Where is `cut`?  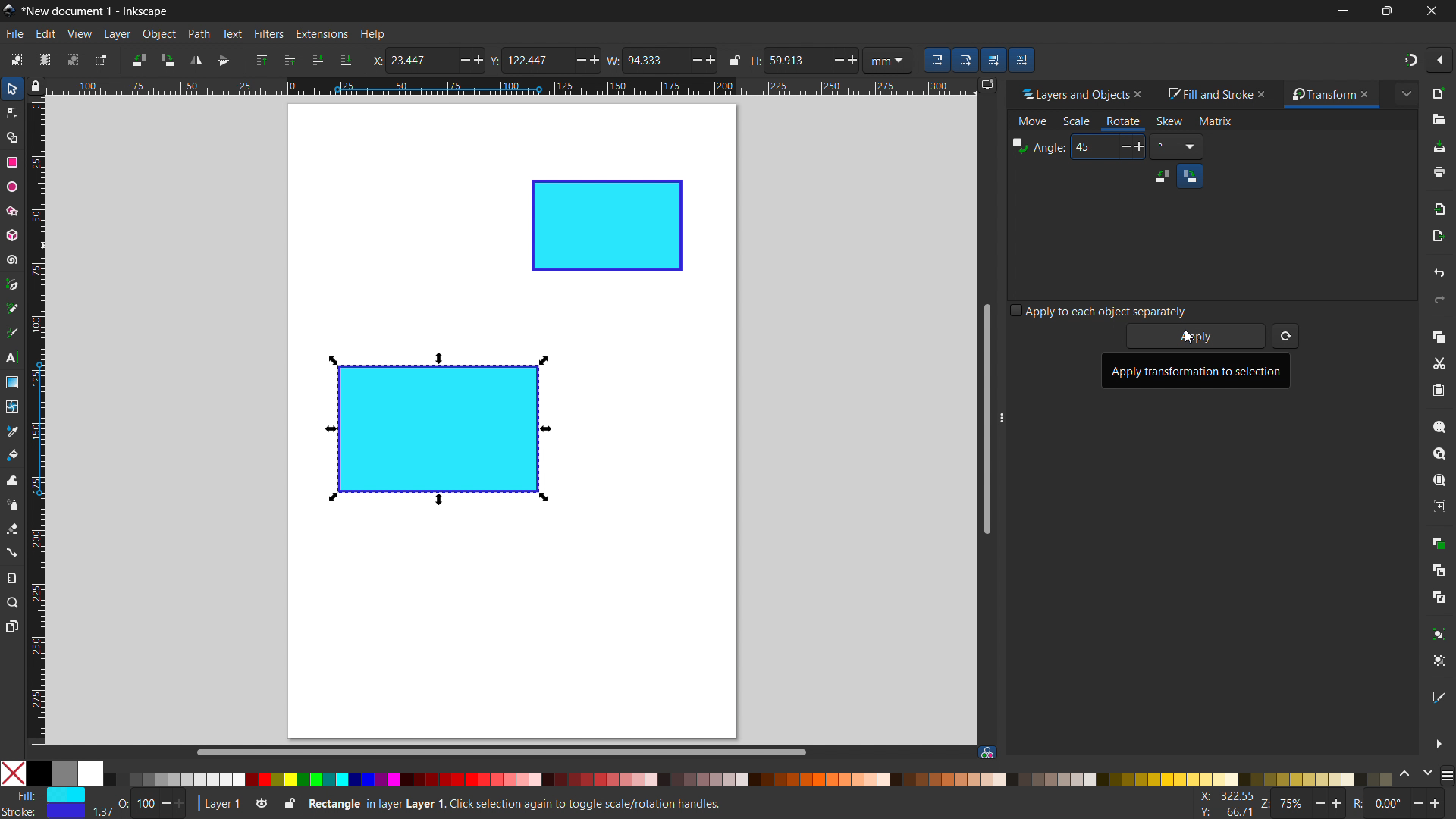 cut is located at coordinates (1439, 365).